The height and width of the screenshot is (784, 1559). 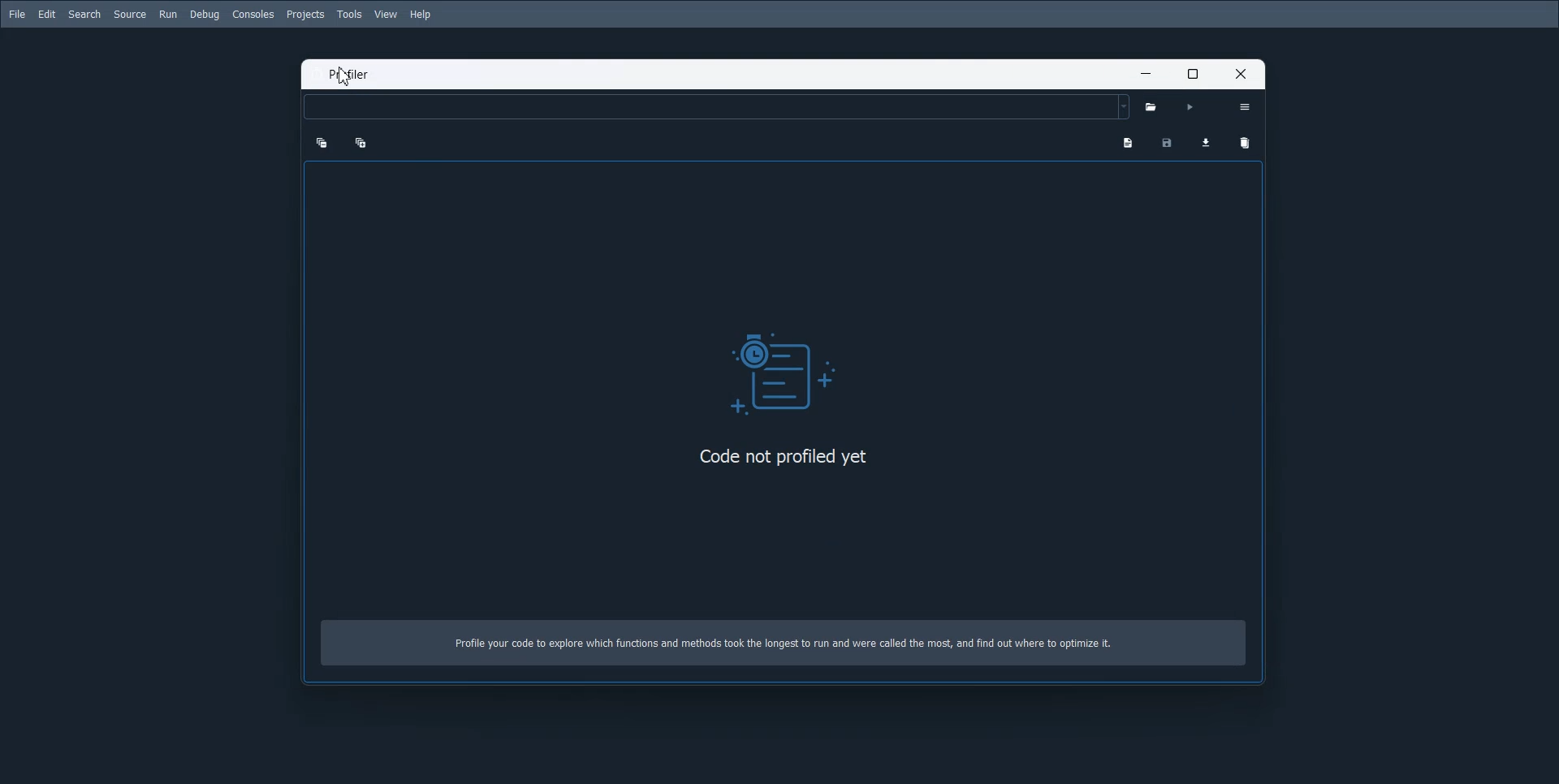 I want to click on Remove Vaiables, so click(x=1245, y=144).